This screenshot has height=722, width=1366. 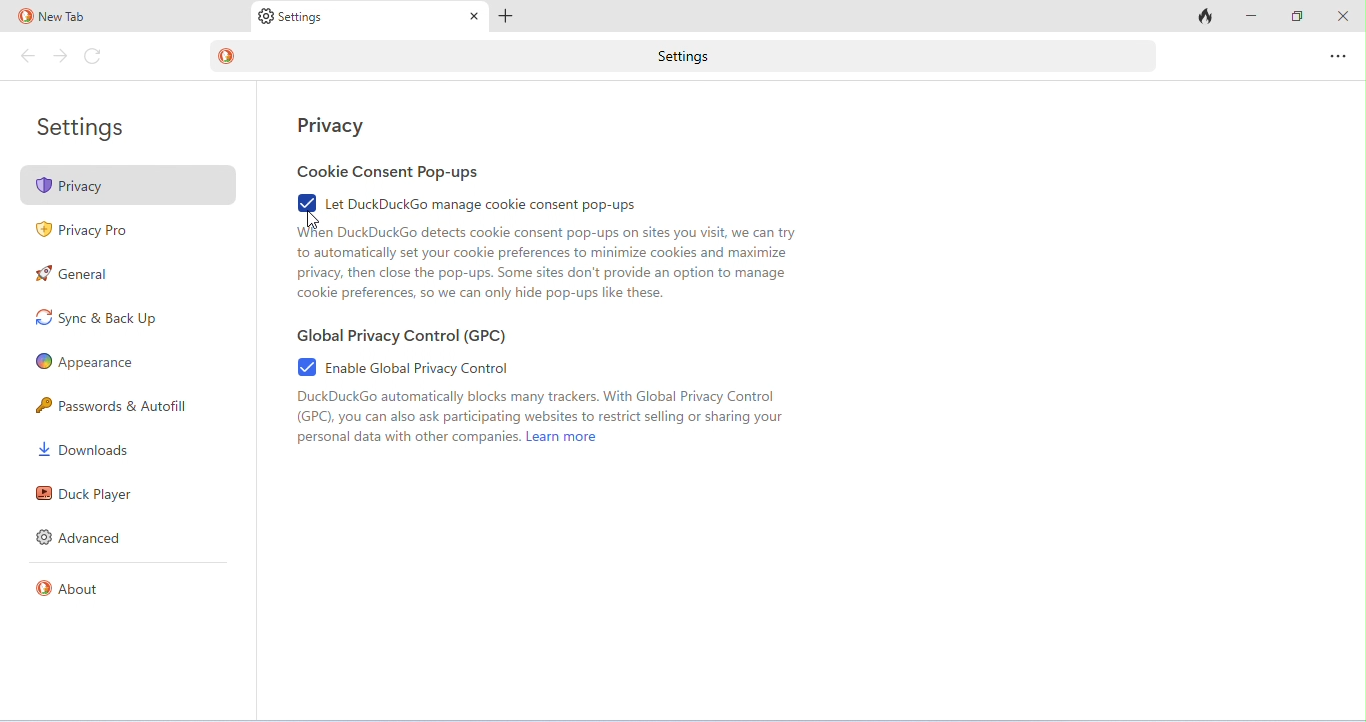 I want to click on sync and back up, so click(x=95, y=318).